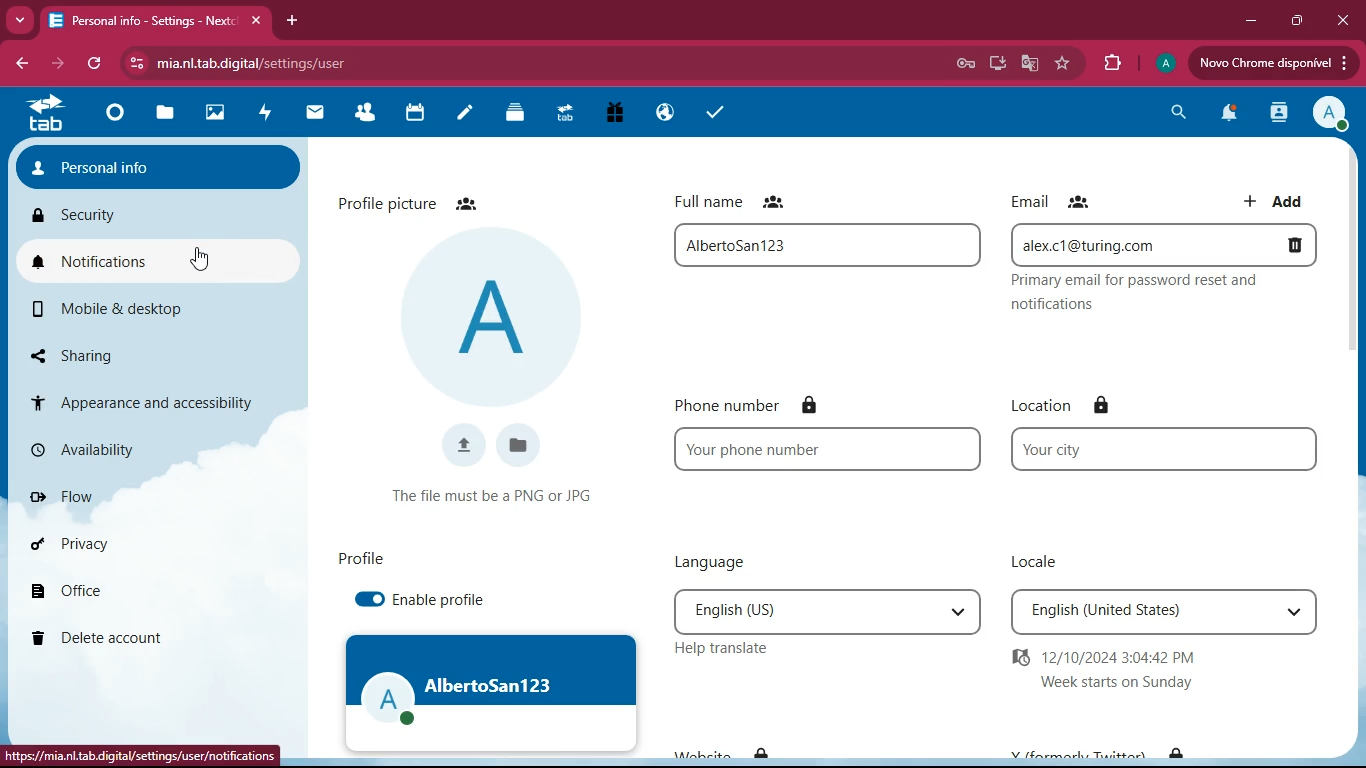 The width and height of the screenshot is (1366, 768). What do you see at coordinates (1032, 63) in the screenshot?
I see `google translate` at bounding box center [1032, 63].